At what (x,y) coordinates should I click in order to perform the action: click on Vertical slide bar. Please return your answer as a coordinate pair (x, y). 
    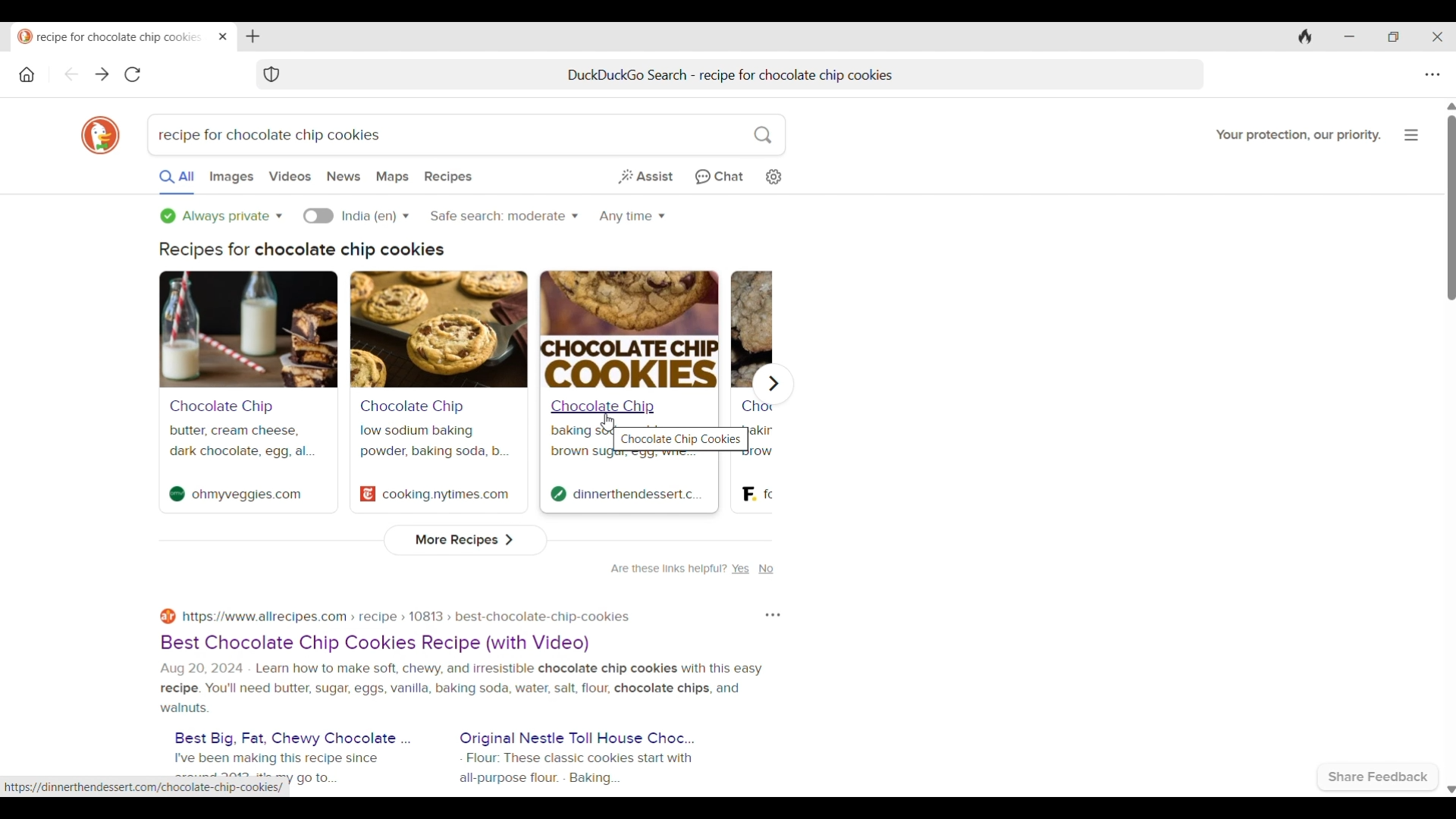
    Looking at the image, I should click on (1451, 209).